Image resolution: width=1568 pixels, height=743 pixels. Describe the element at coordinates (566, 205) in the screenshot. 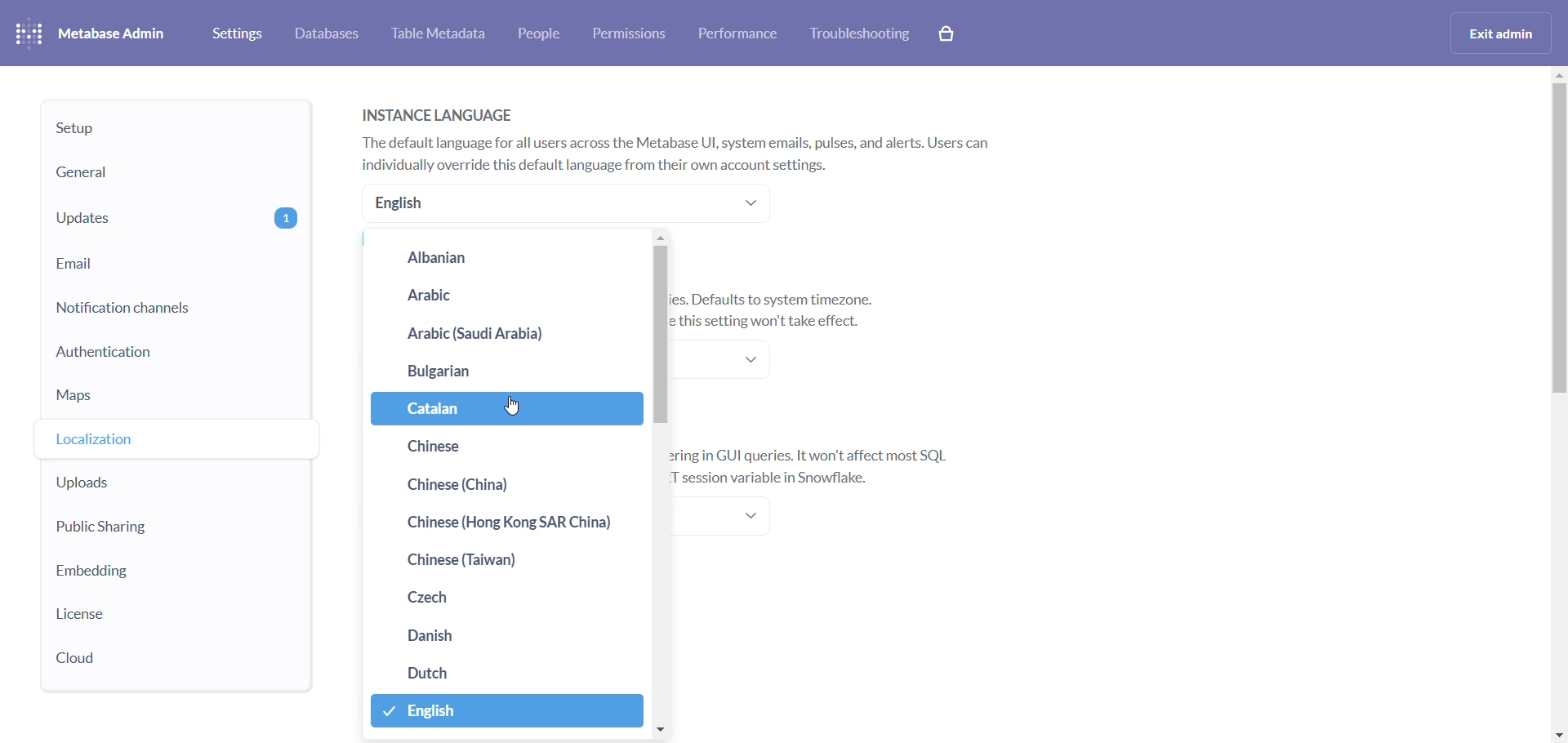

I see `language dropdown` at that location.